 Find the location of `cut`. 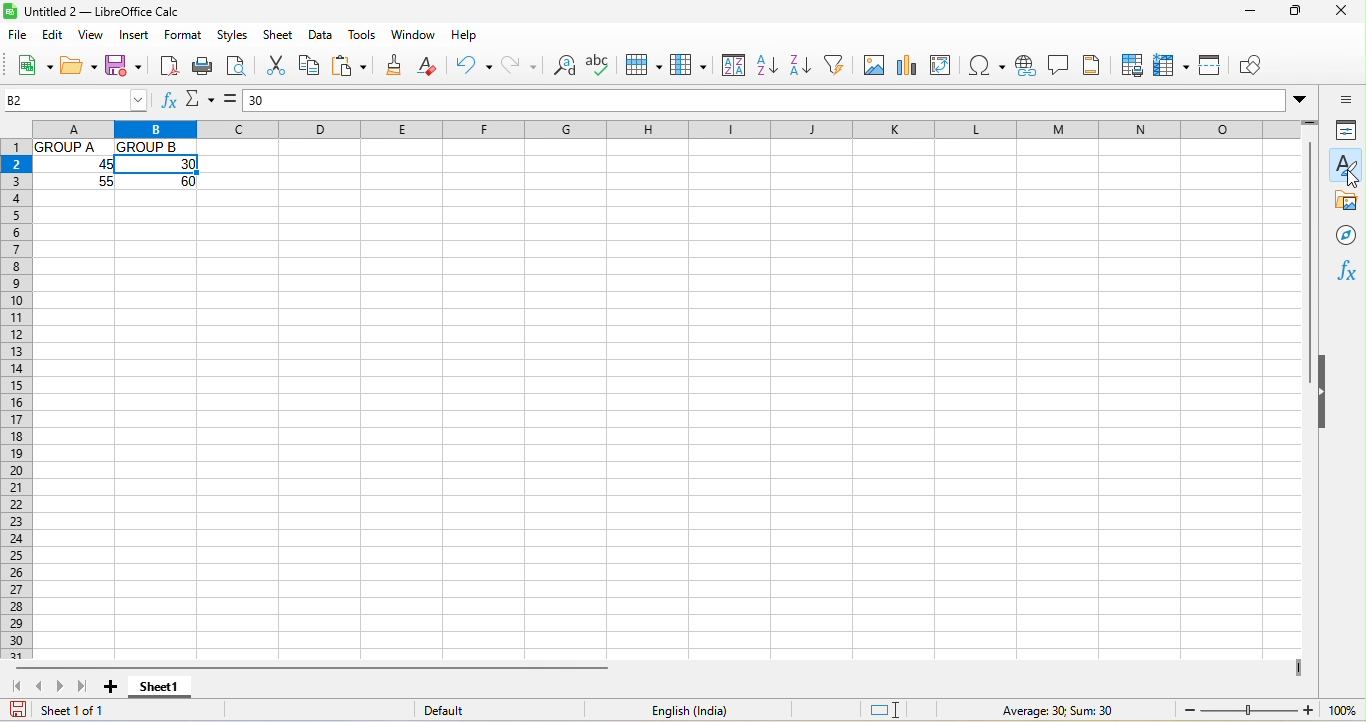

cut is located at coordinates (274, 68).